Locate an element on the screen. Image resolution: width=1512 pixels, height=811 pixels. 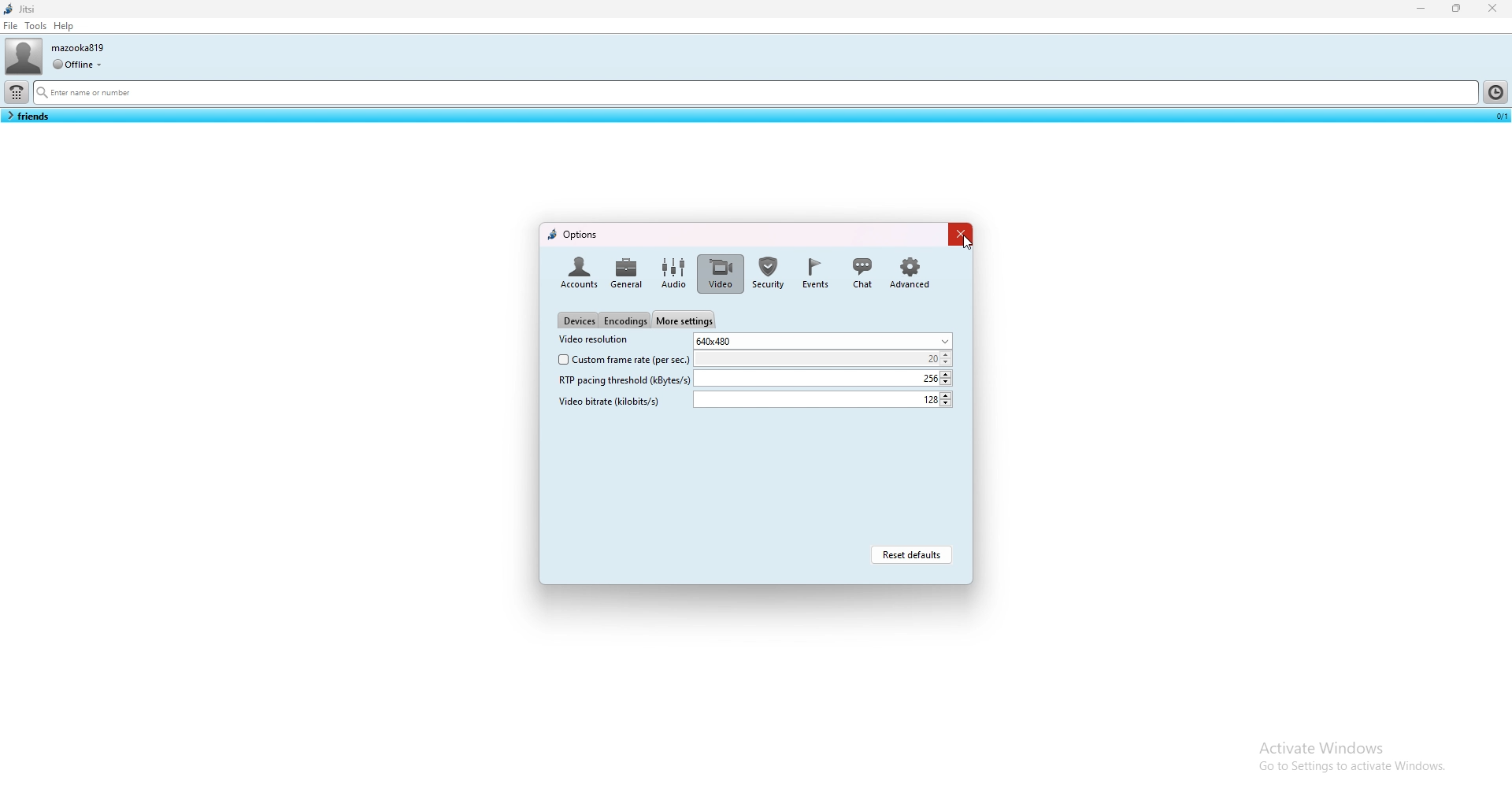
close is located at coordinates (1492, 8).